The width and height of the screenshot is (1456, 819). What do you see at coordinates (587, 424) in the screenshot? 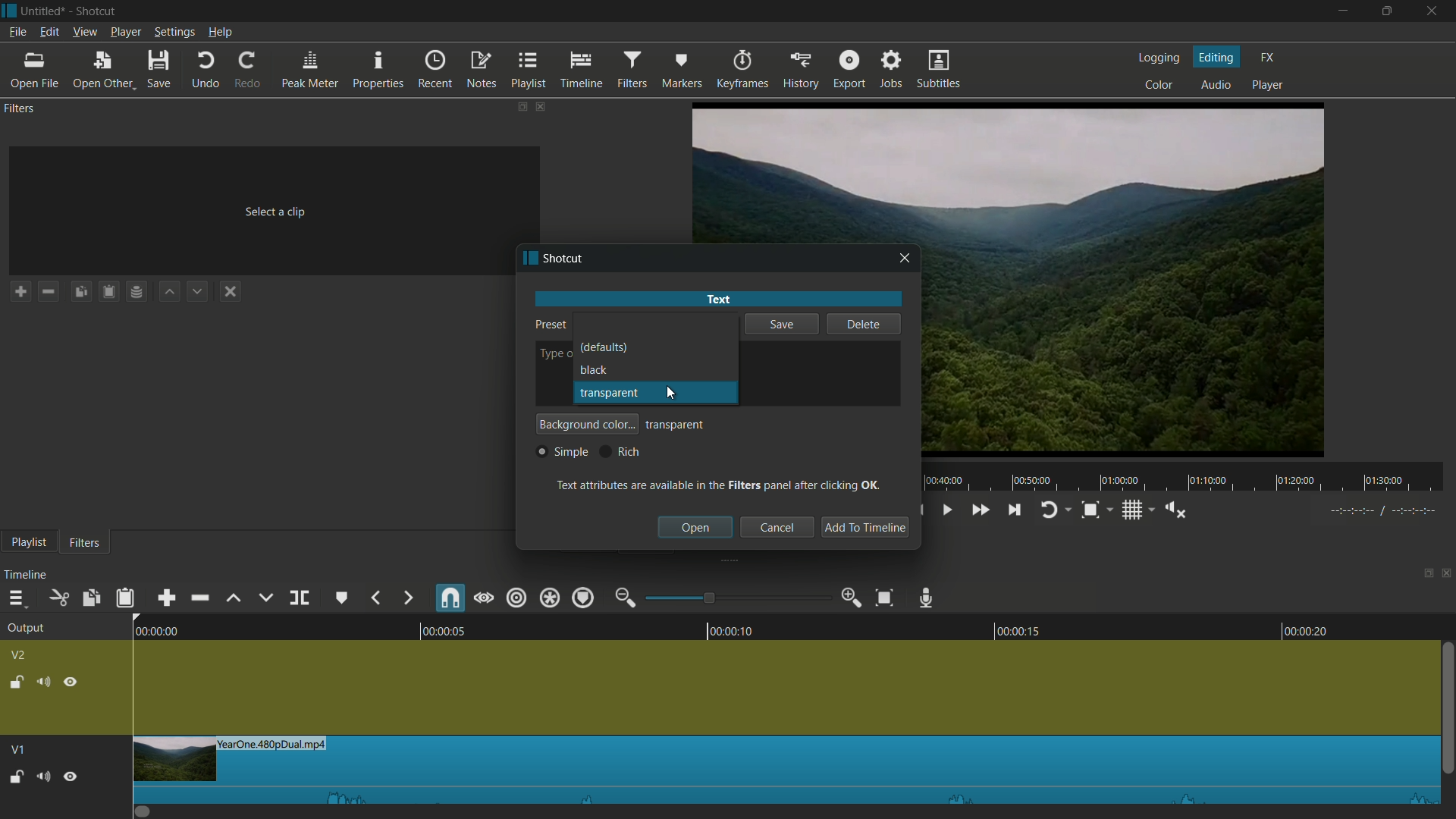
I see `background color` at bounding box center [587, 424].